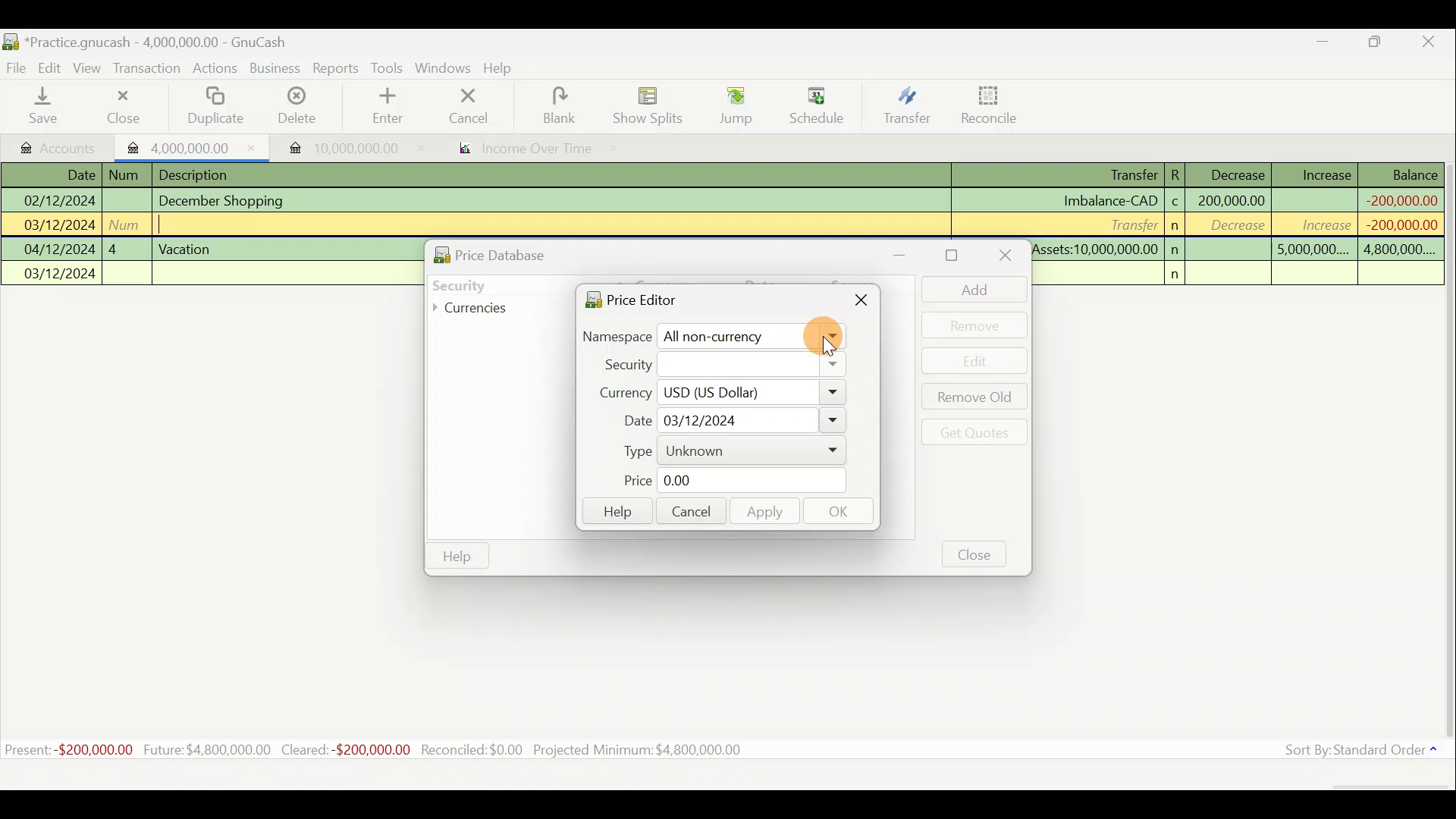  I want to click on Decrease, so click(1237, 174).